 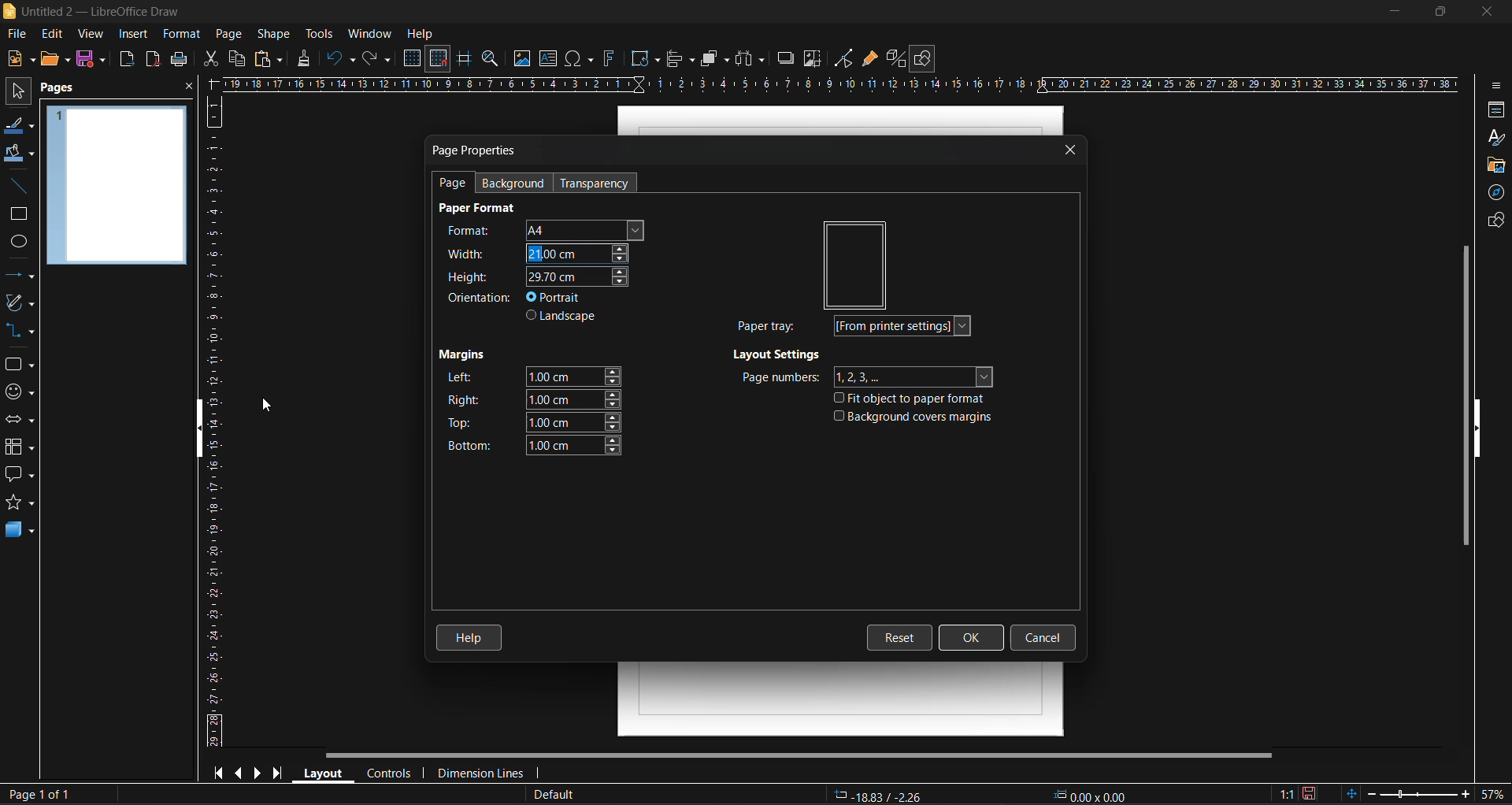 I want to click on show gluepoint, so click(x=869, y=61).